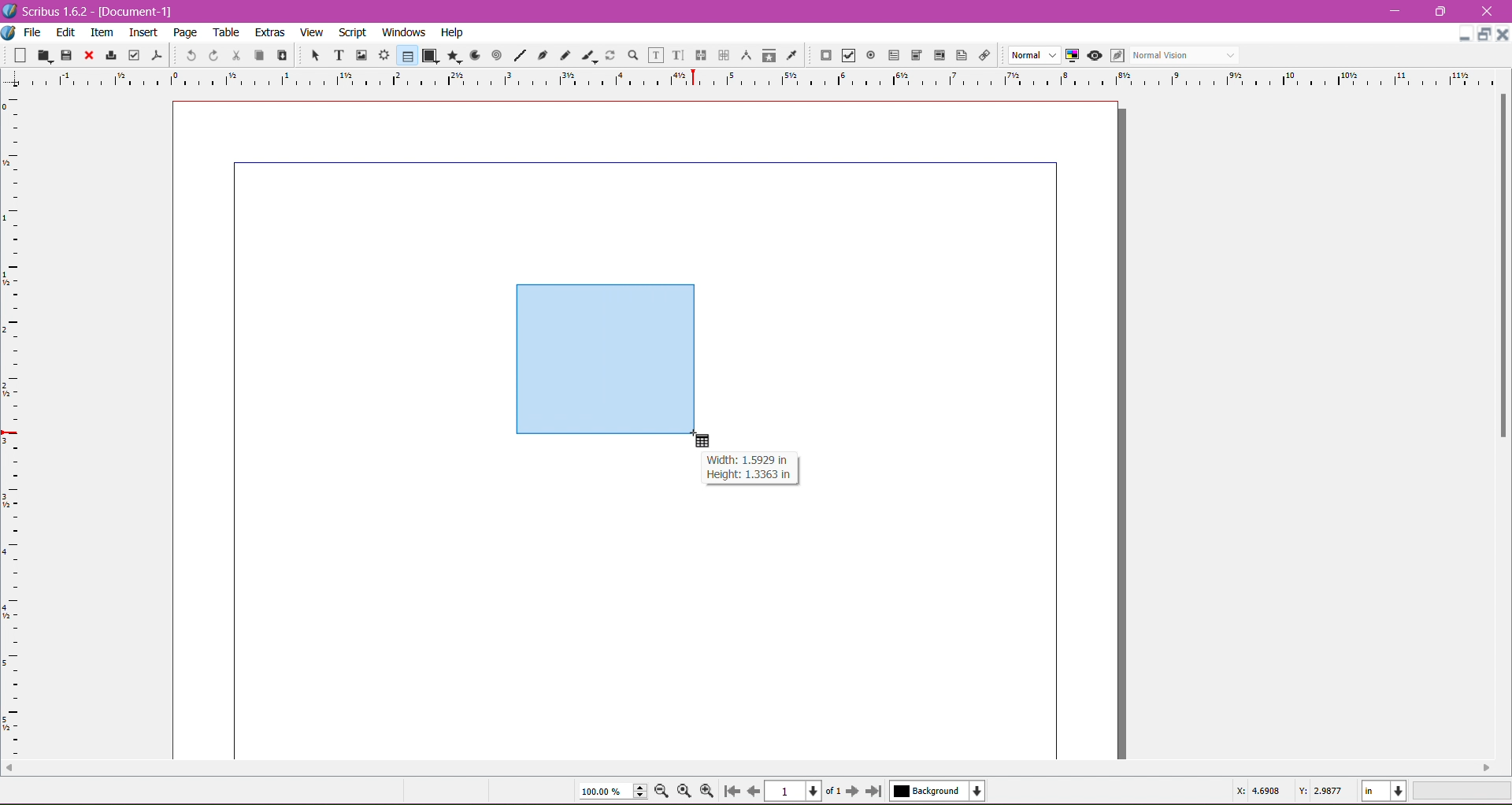 This screenshot has height=805, width=1512. Describe the element at coordinates (565, 56) in the screenshot. I see `Freehand Line` at that location.